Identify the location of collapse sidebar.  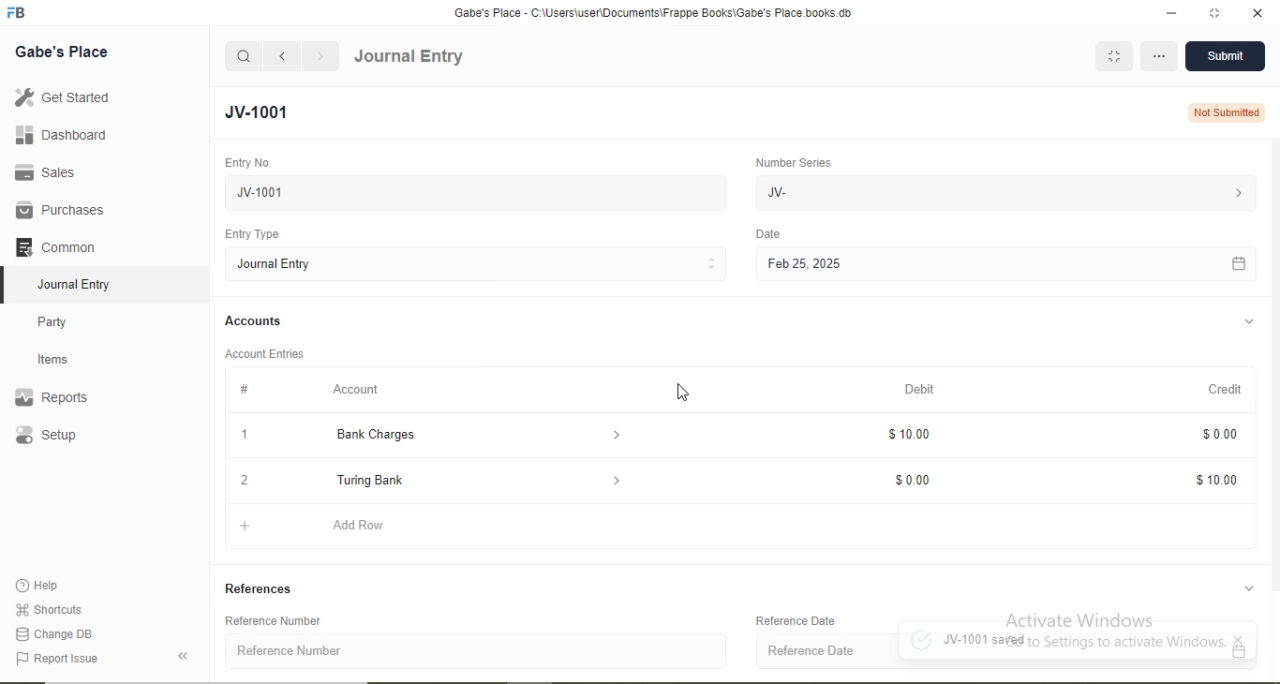
(186, 656).